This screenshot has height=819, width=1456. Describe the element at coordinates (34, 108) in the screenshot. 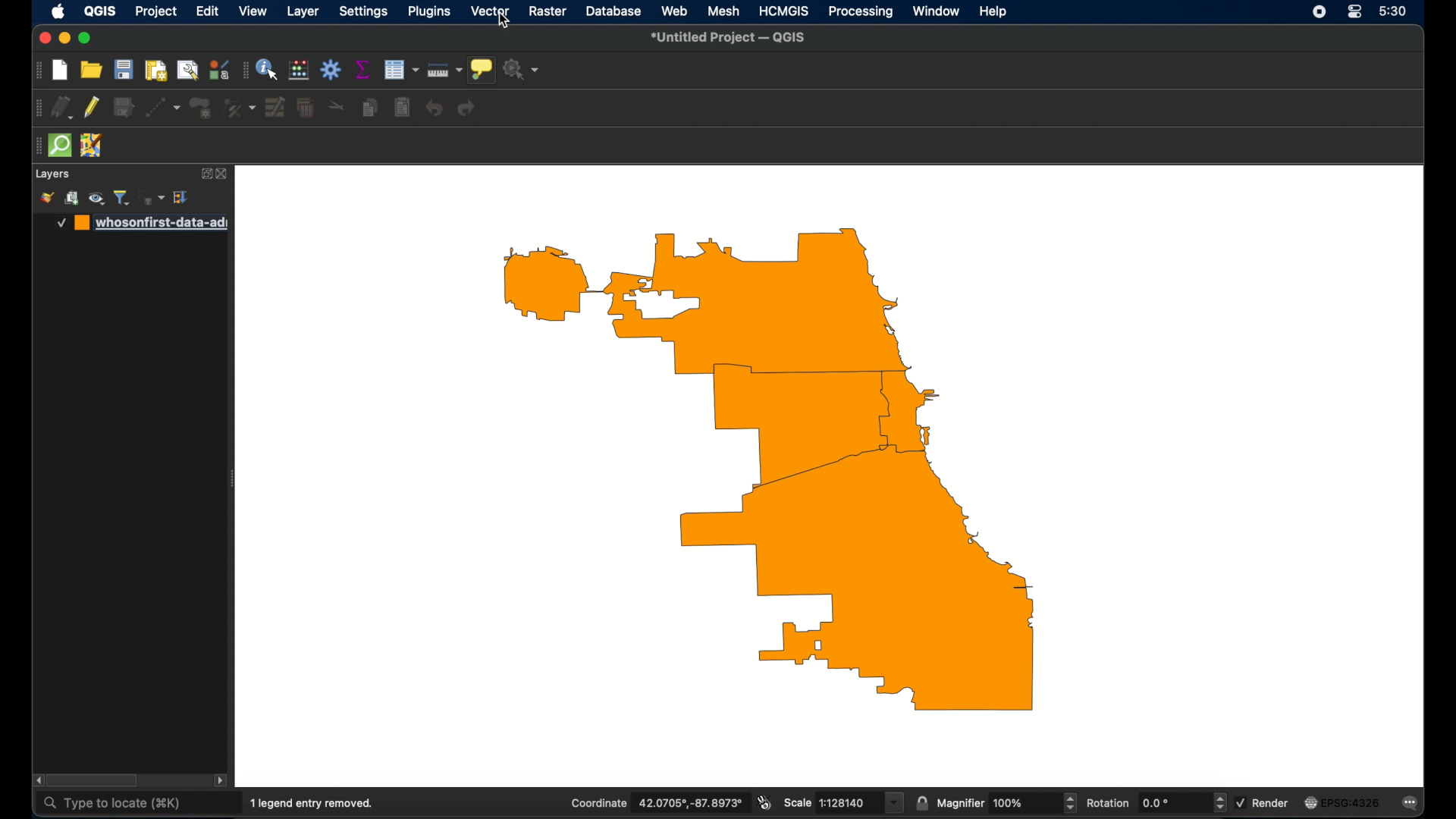

I see `drag handle` at that location.